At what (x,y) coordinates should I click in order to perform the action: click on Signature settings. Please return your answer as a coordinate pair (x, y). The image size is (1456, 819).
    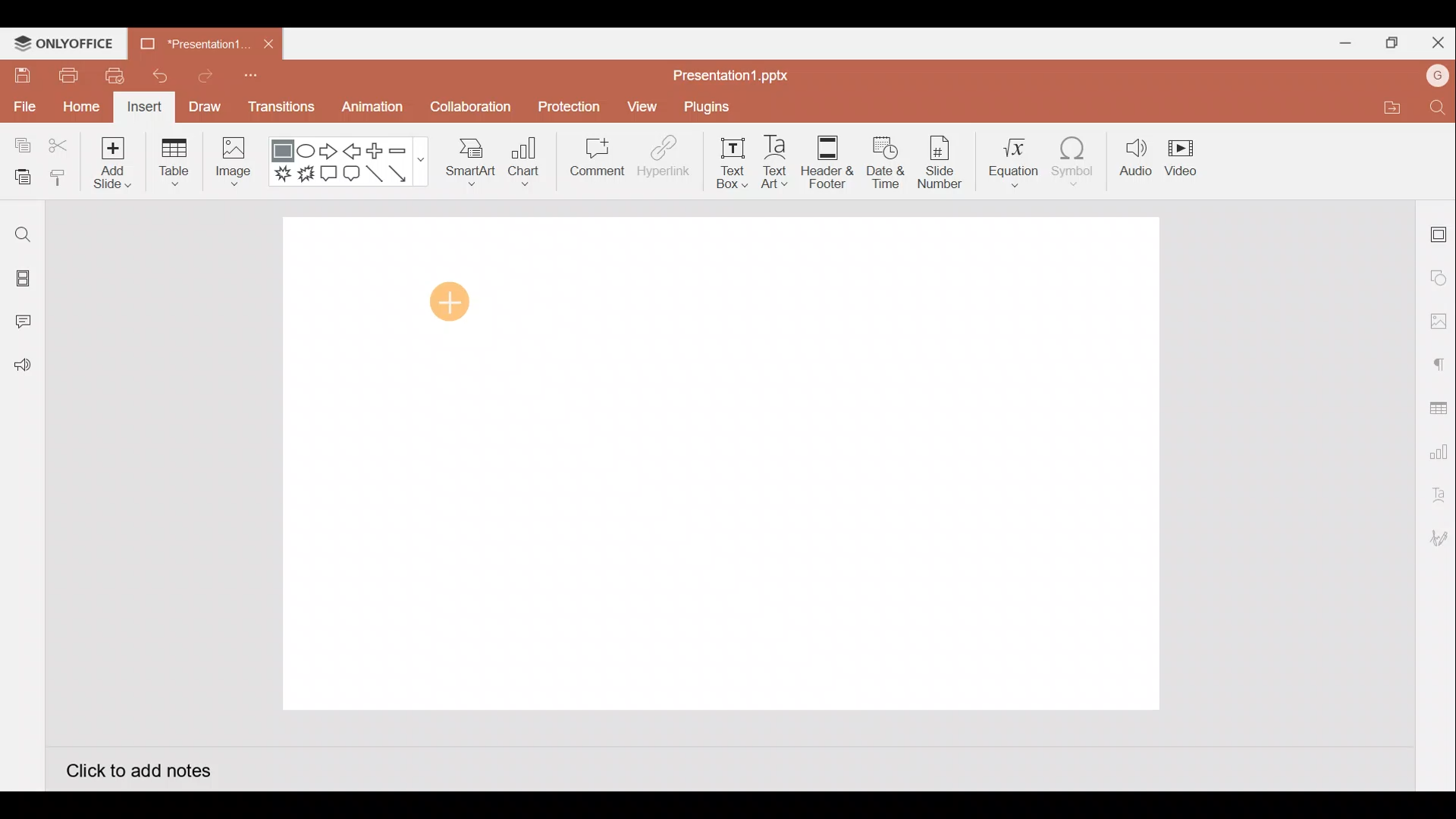
    Looking at the image, I should click on (1436, 540).